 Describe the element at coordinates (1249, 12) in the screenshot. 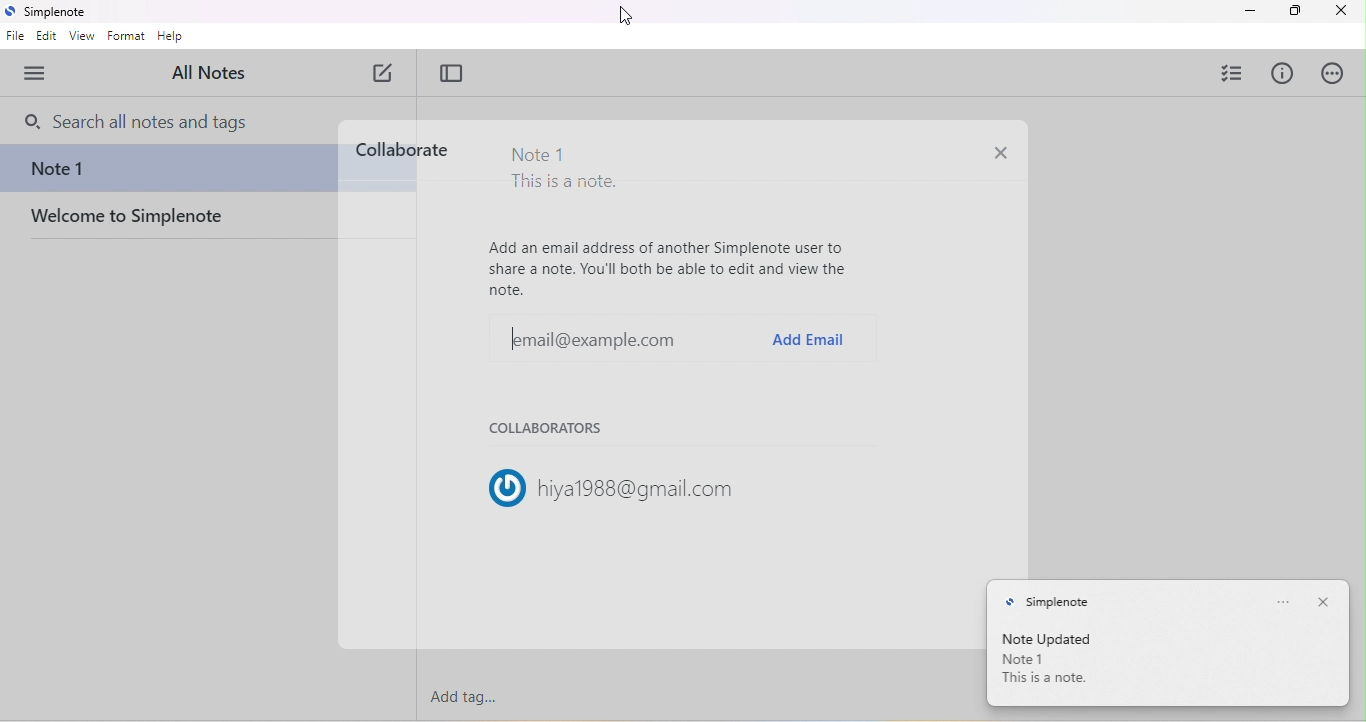

I see `minimize` at that location.